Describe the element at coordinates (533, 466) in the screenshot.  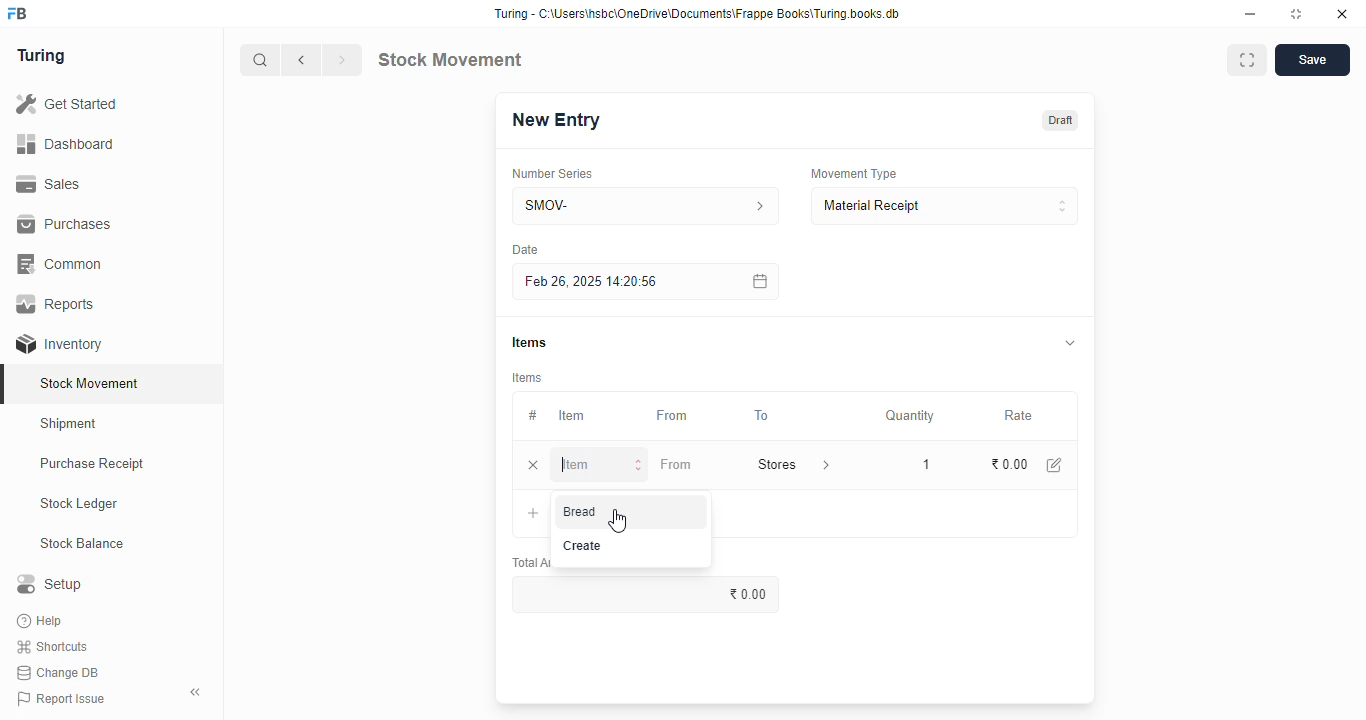
I see `remove` at that location.